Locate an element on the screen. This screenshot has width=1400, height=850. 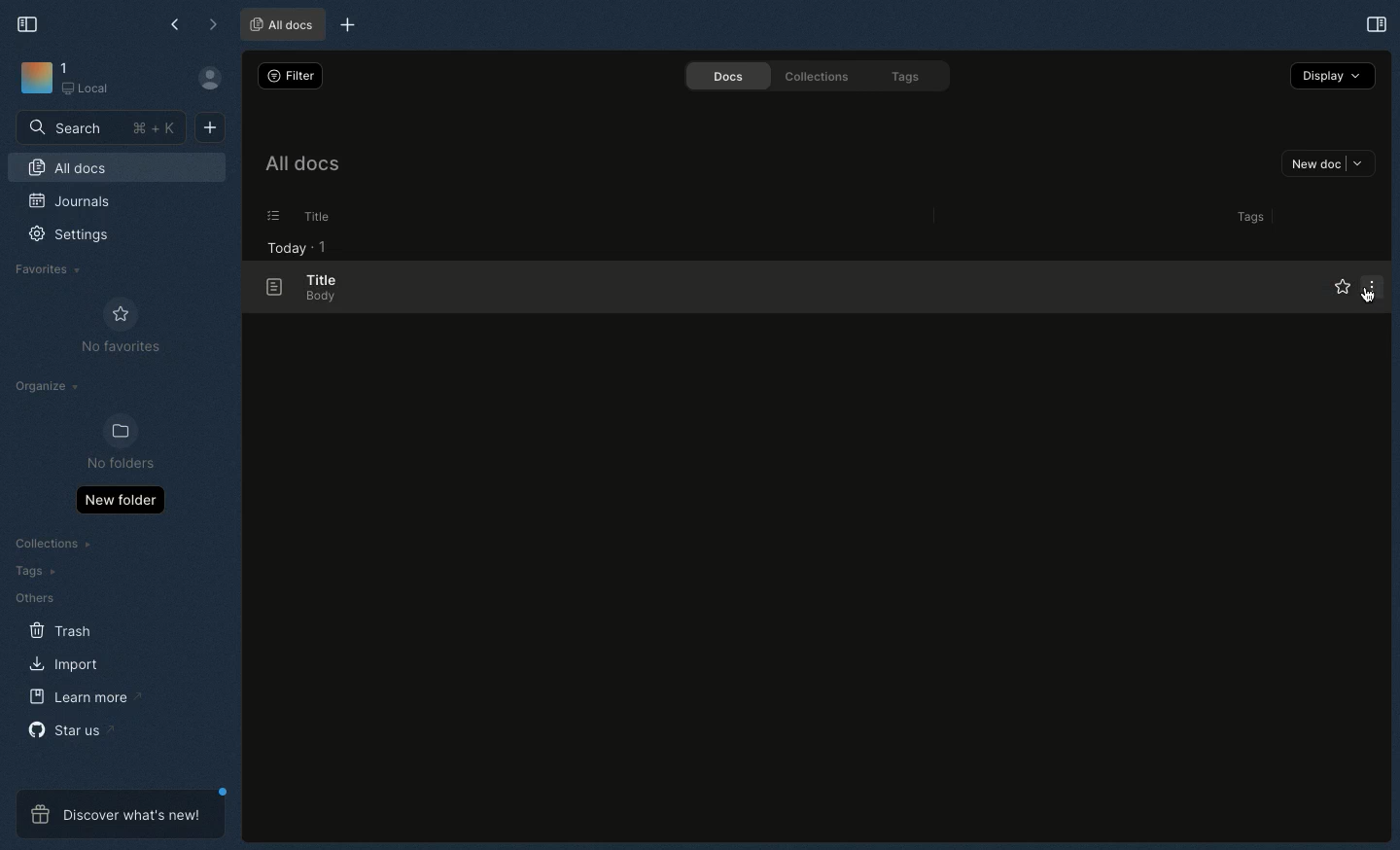
Import is located at coordinates (67, 663).